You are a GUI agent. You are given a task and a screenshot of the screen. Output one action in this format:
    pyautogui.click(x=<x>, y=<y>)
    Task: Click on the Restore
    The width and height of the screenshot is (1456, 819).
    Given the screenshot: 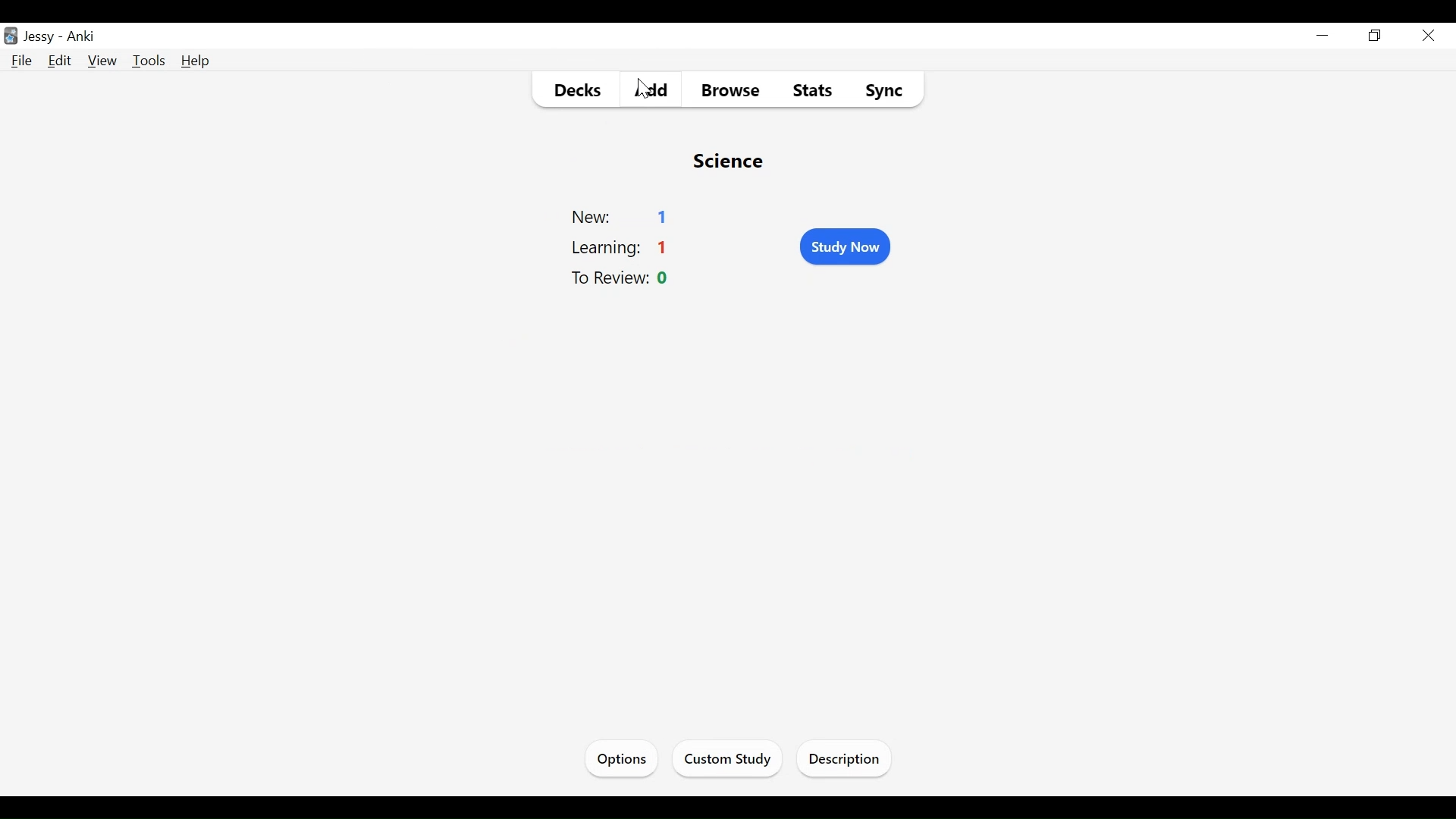 What is the action you would take?
    pyautogui.click(x=1373, y=36)
    